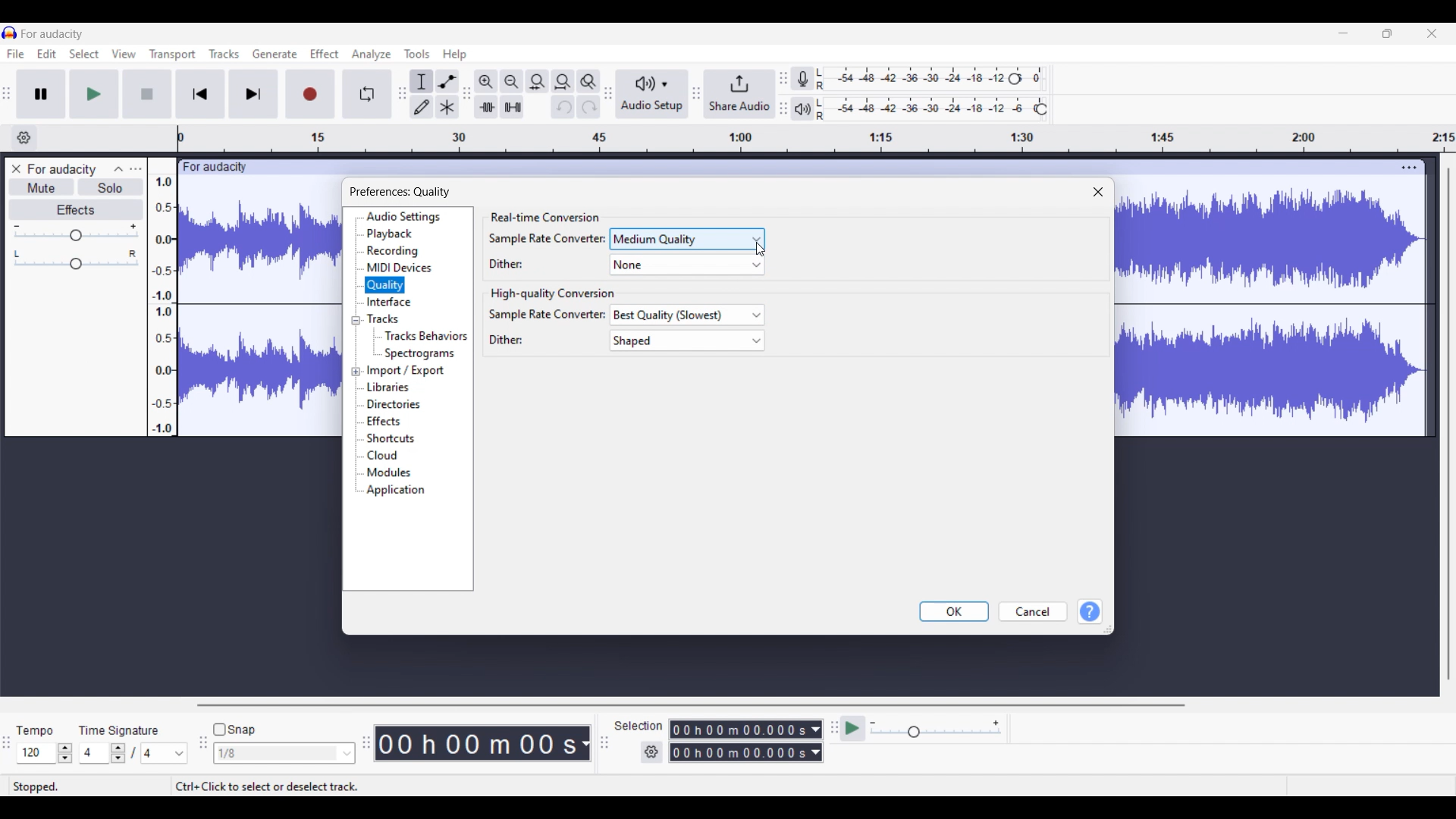 This screenshot has height=819, width=1456. What do you see at coordinates (420, 354) in the screenshot?
I see `Spectograms` at bounding box center [420, 354].